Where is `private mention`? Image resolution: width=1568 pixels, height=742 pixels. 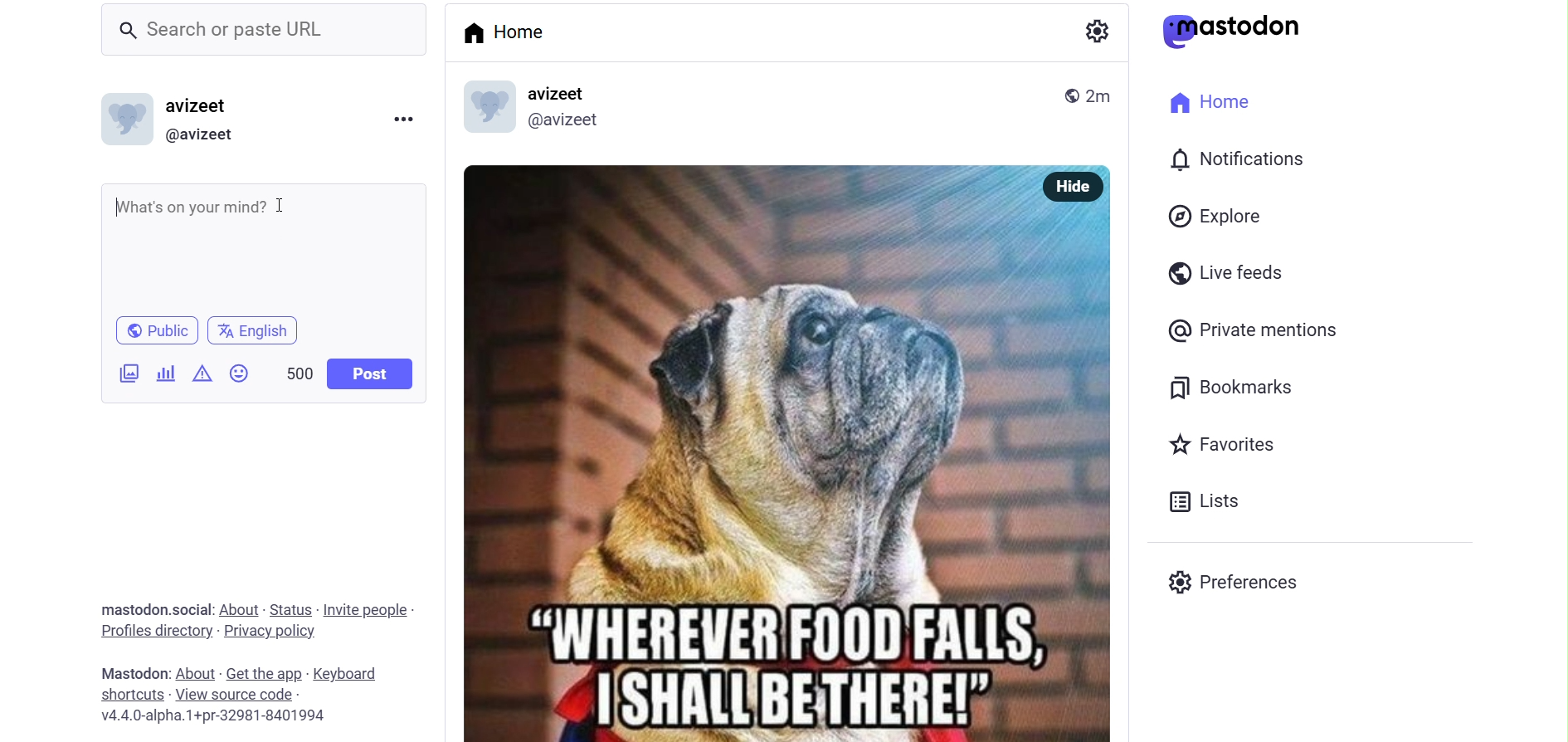
private mention is located at coordinates (1259, 332).